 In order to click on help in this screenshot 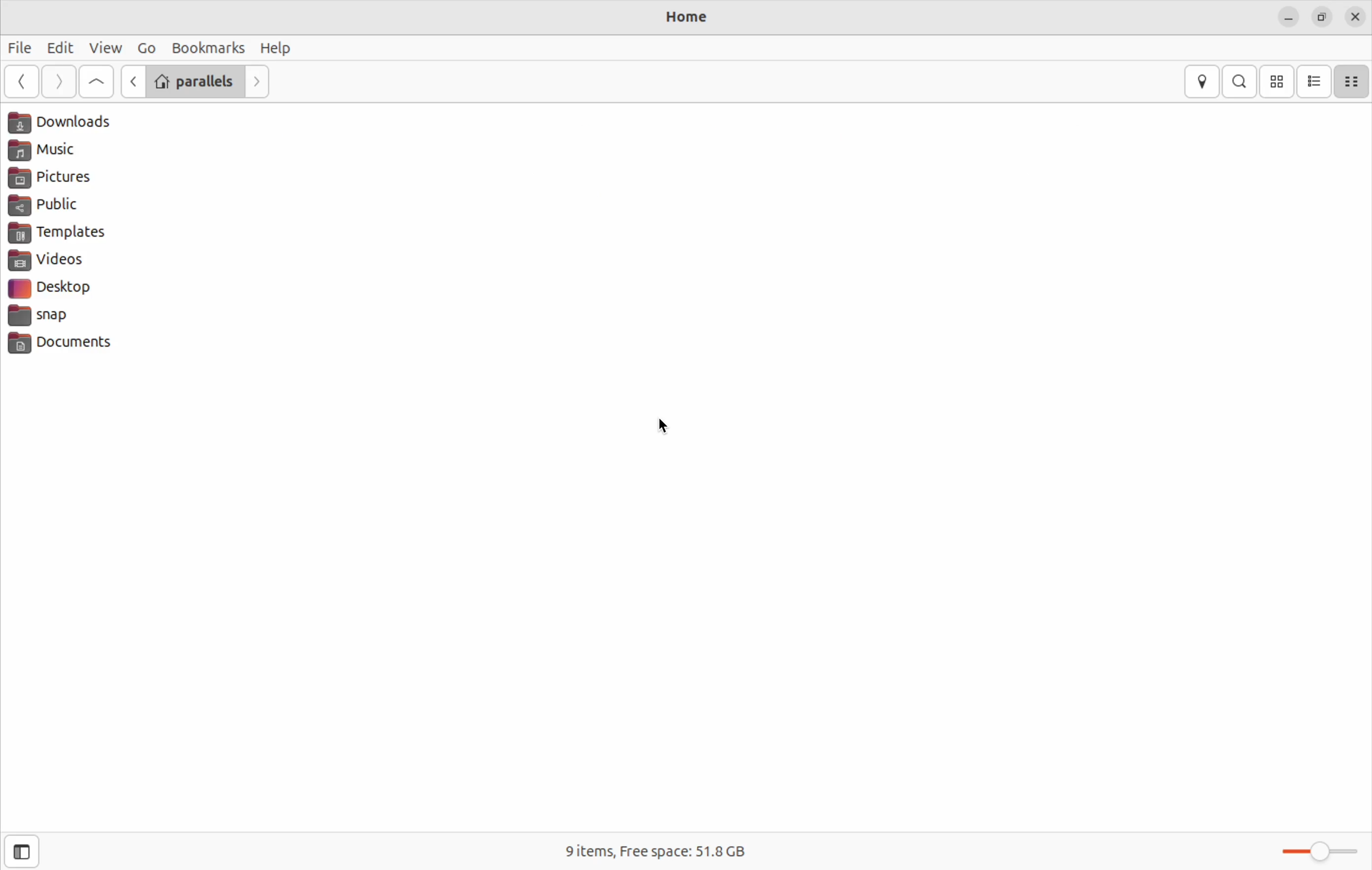, I will do `click(278, 47)`.